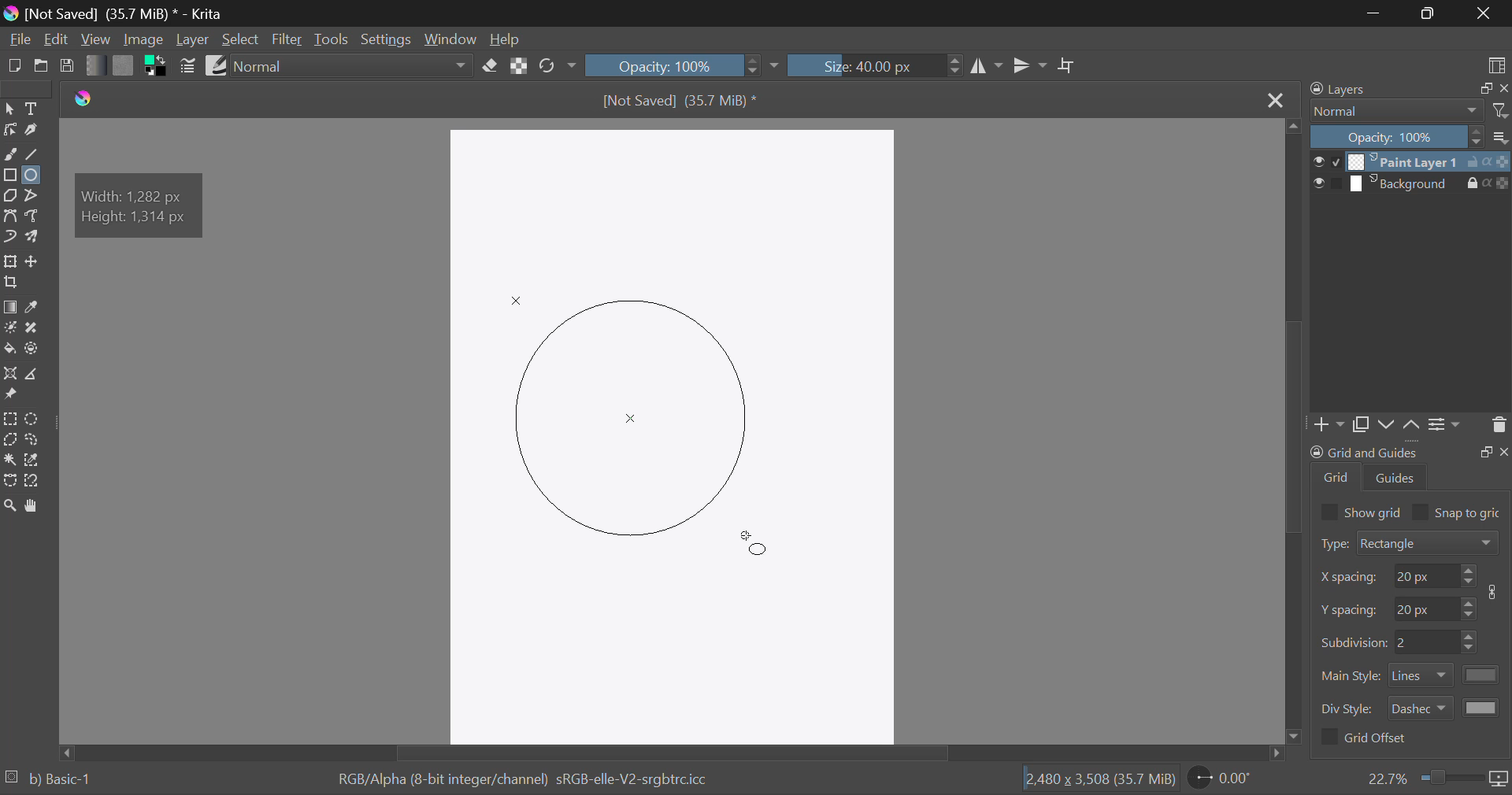 This screenshot has height=795, width=1512. I want to click on Bezier Curve Selection, so click(9, 482).